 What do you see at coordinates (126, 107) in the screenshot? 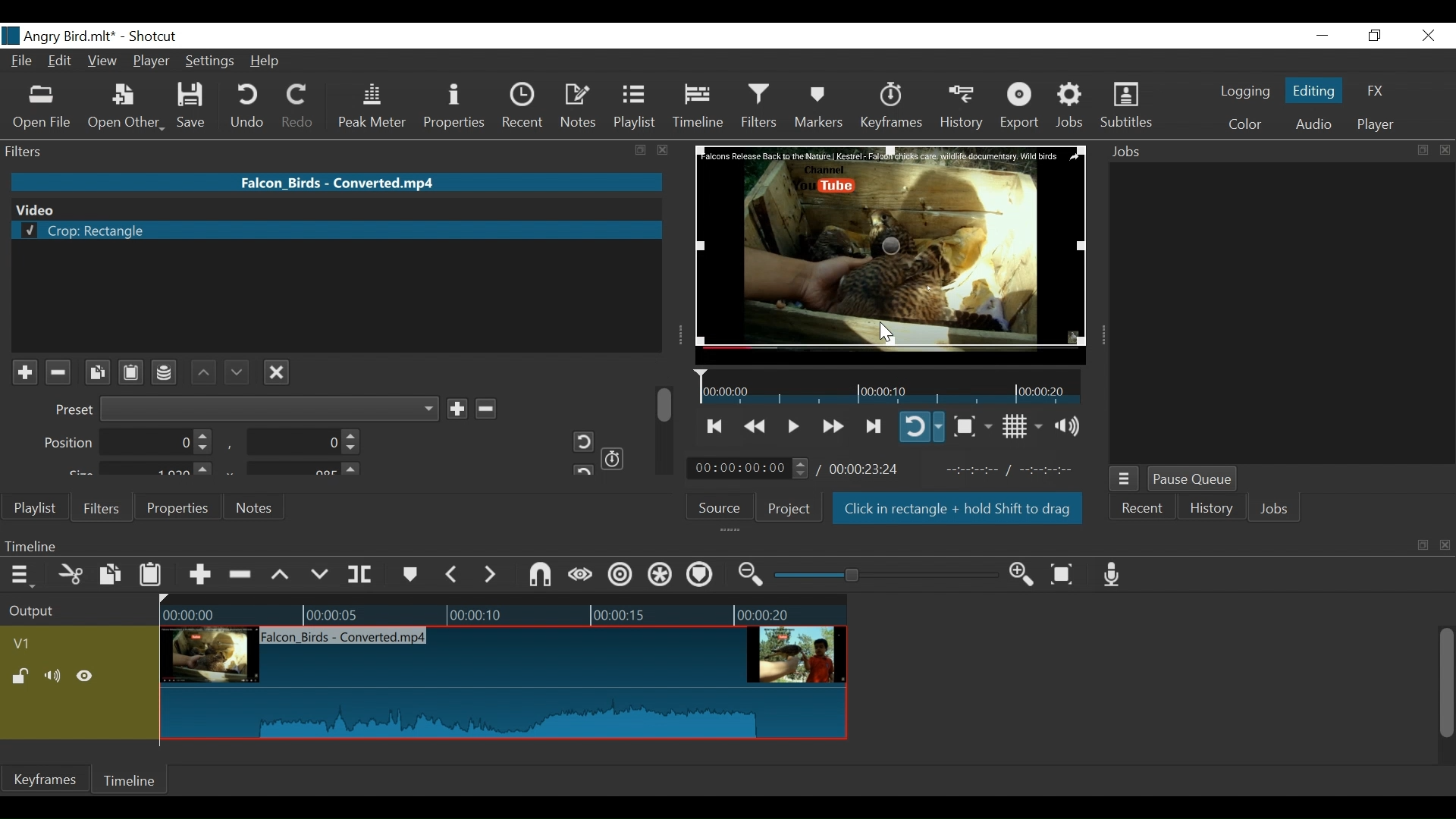
I see `Open Other` at bounding box center [126, 107].